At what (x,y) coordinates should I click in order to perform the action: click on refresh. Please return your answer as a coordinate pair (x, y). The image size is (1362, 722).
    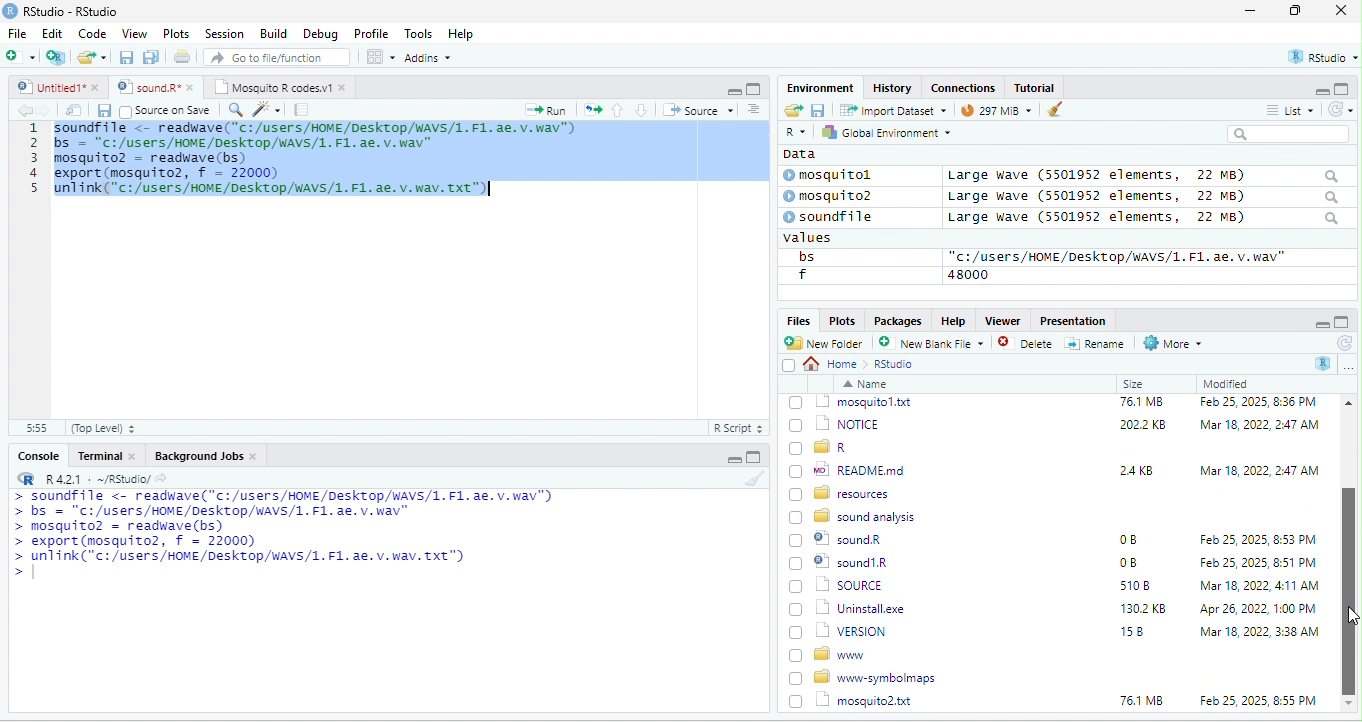
    Looking at the image, I should click on (1337, 109).